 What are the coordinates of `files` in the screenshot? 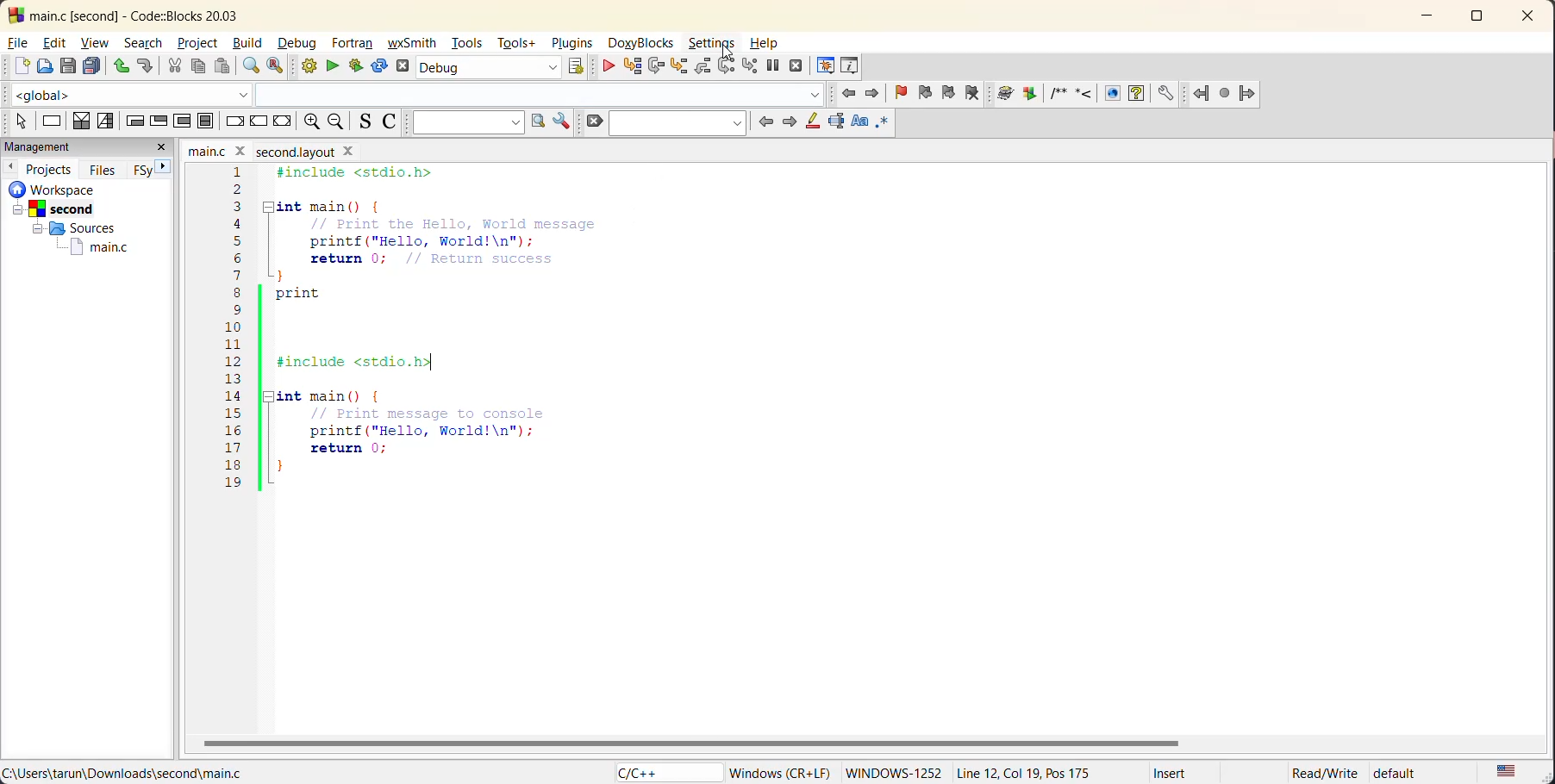 It's located at (100, 169).